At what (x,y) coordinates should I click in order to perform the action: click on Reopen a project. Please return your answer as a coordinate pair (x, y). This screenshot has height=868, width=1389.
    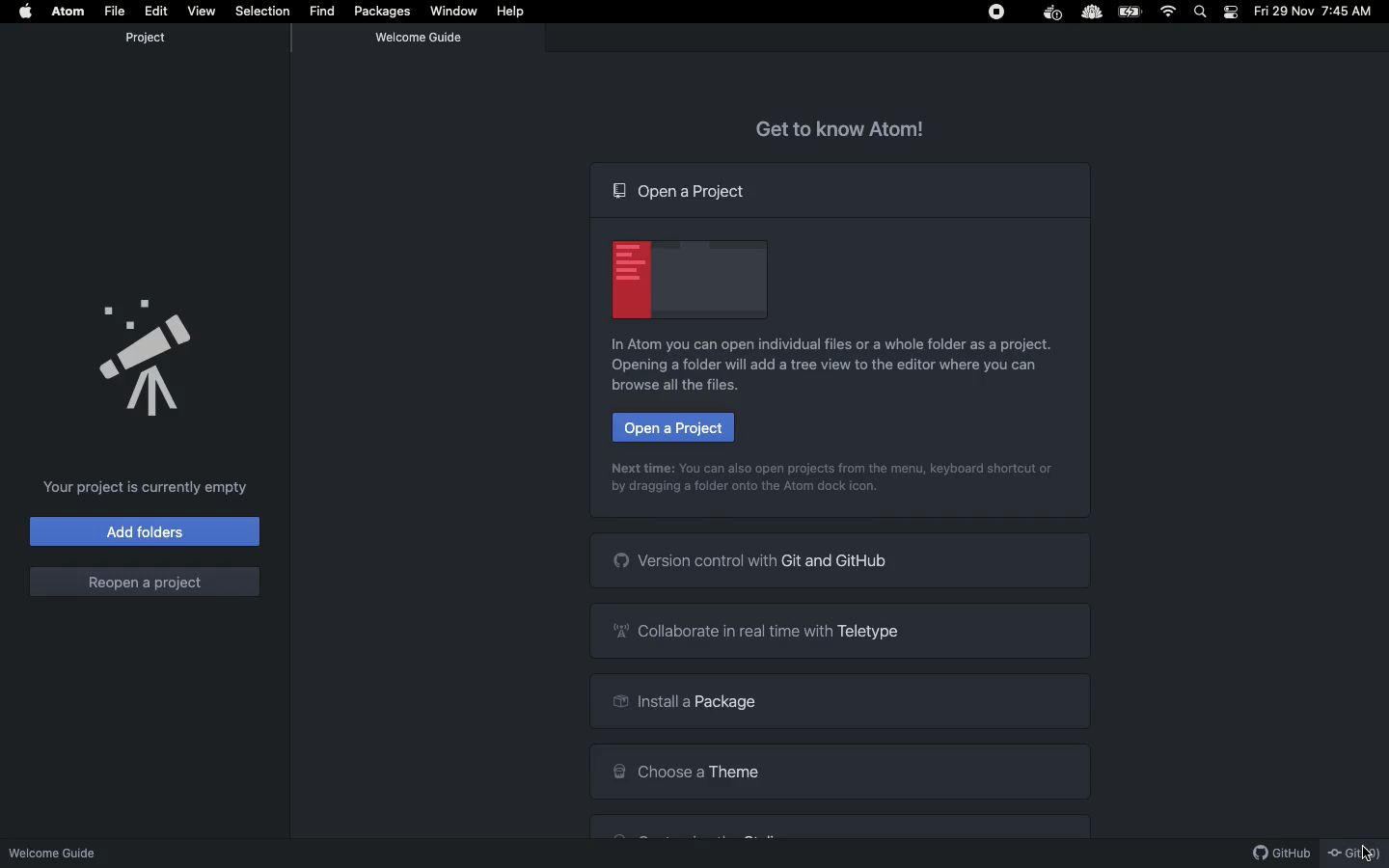
    Looking at the image, I should click on (145, 581).